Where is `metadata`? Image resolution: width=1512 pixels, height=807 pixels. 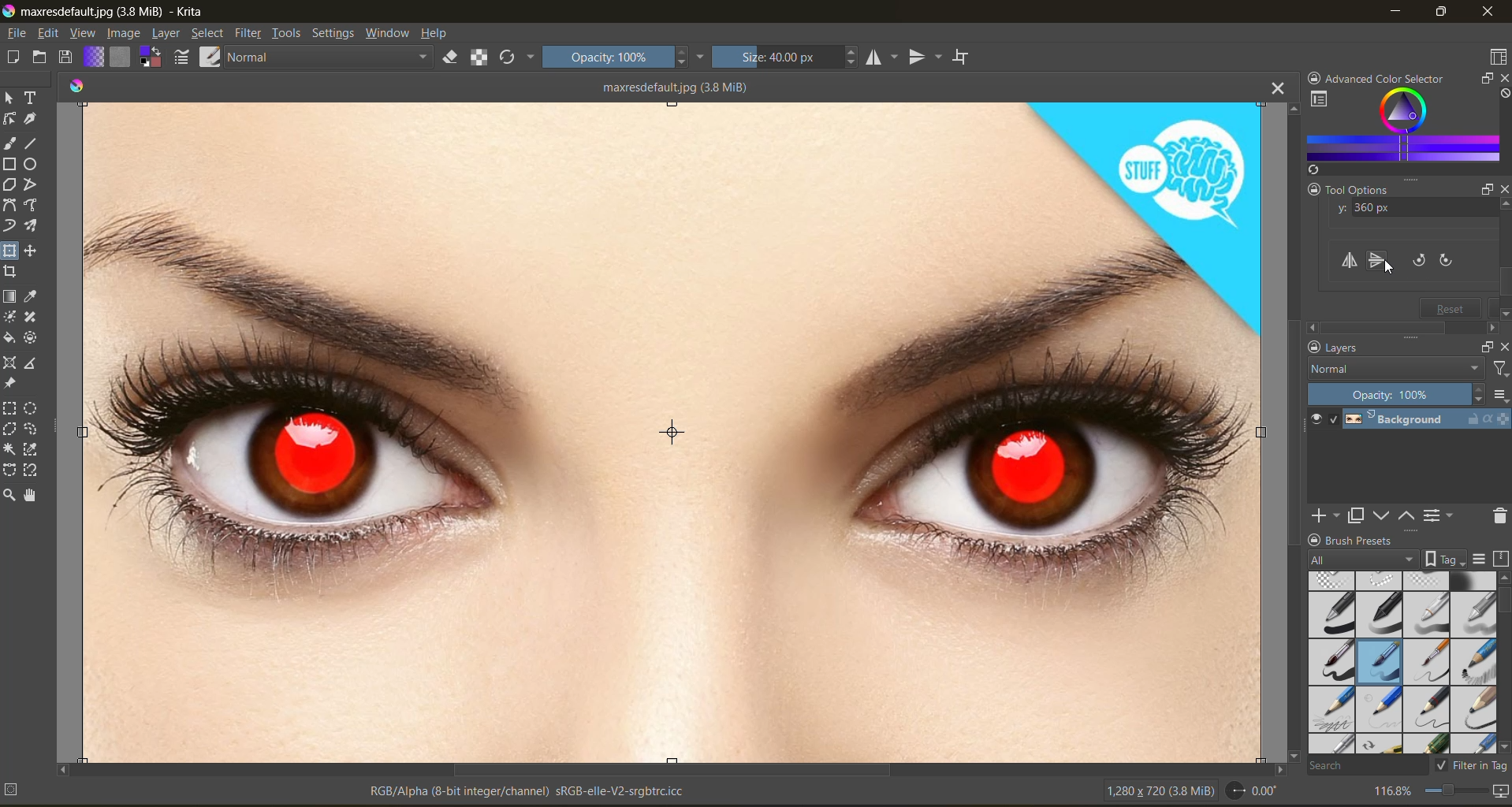
metadata is located at coordinates (348, 793).